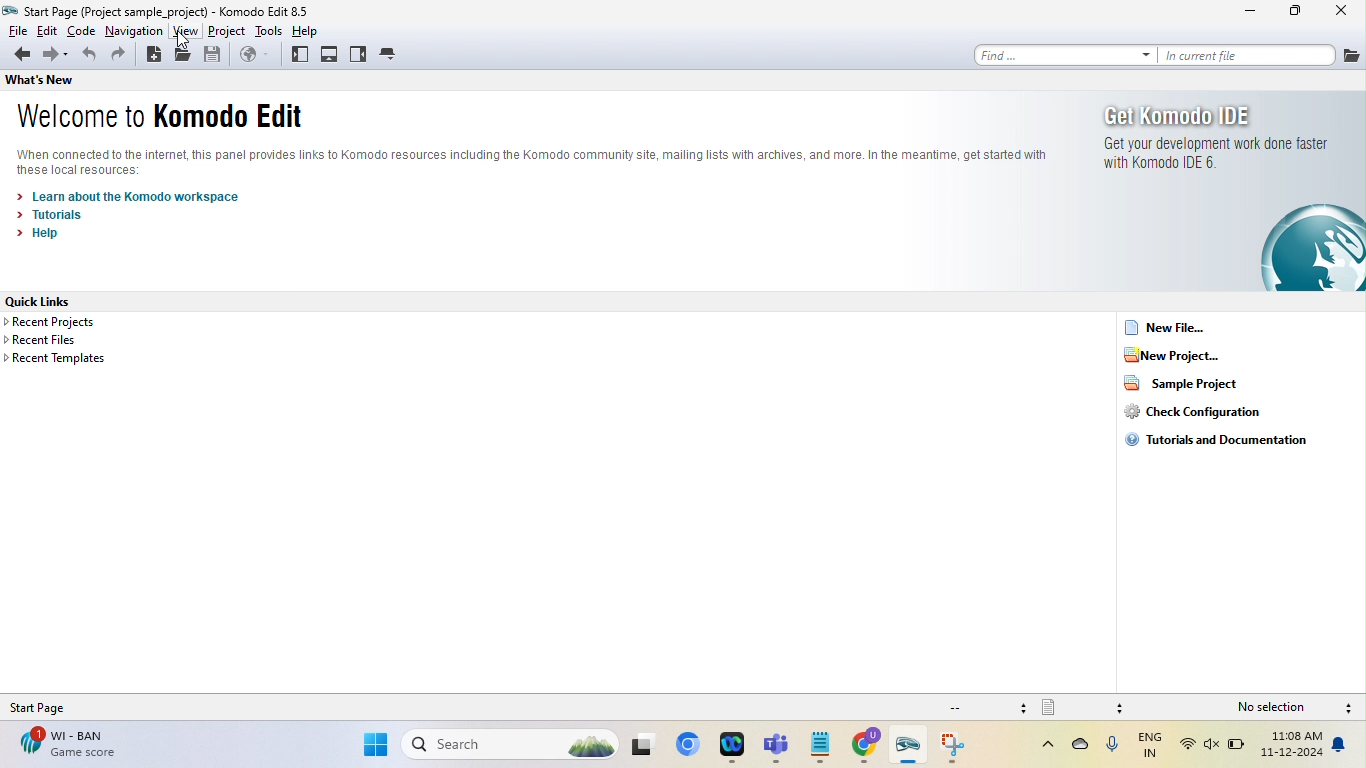 The image size is (1366, 768). I want to click on globe icon, so click(1309, 250).